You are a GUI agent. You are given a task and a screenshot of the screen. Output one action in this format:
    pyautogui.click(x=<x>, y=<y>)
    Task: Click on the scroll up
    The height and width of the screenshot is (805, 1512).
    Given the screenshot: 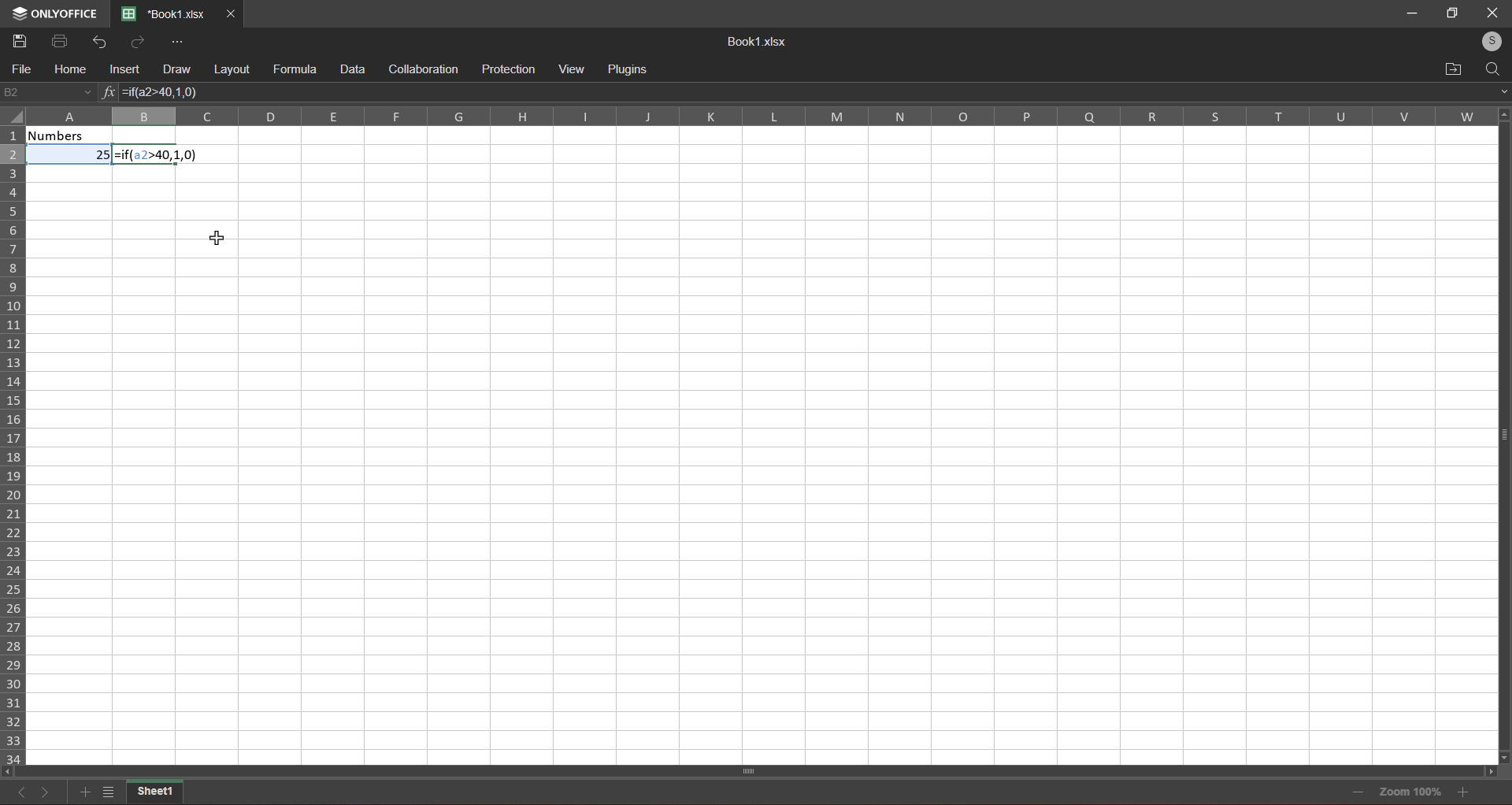 What is the action you would take?
    pyautogui.click(x=1500, y=113)
    